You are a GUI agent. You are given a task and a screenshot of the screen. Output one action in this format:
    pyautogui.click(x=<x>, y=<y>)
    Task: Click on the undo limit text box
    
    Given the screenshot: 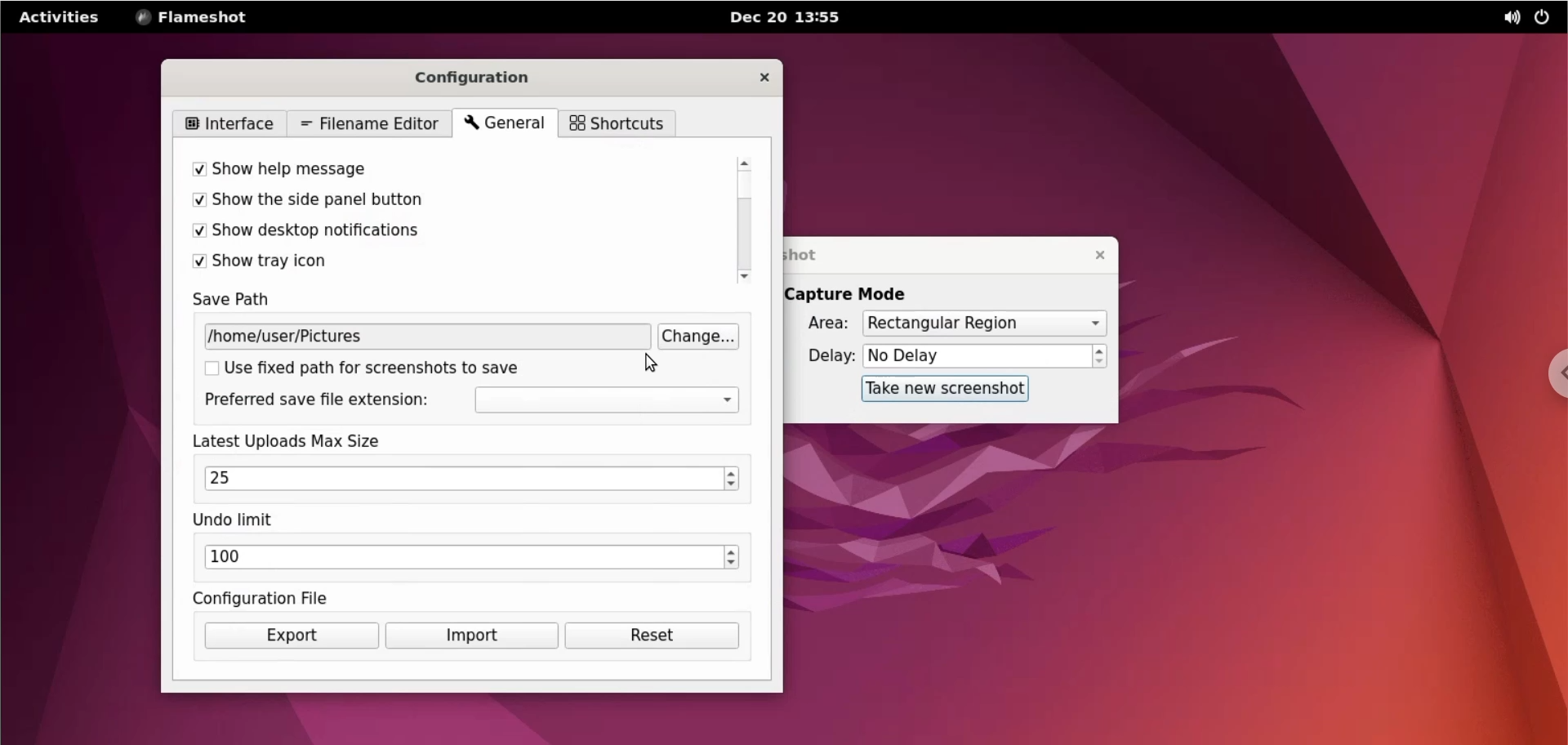 What is the action you would take?
    pyautogui.click(x=463, y=560)
    